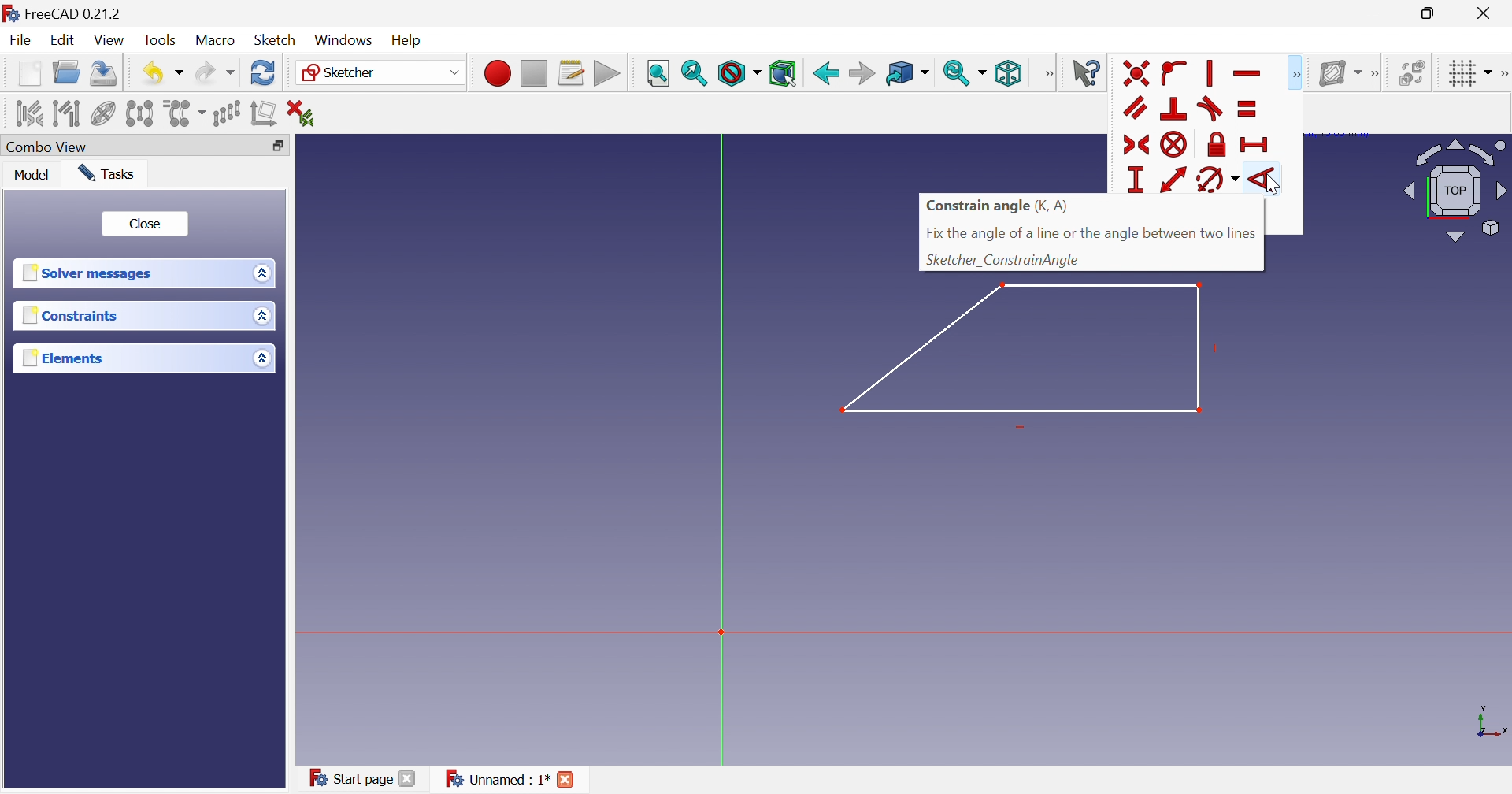 The width and height of the screenshot is (1512, 794). Describe the element at coordinates (145, 222) in the screenshot. I see `Close` at that location.